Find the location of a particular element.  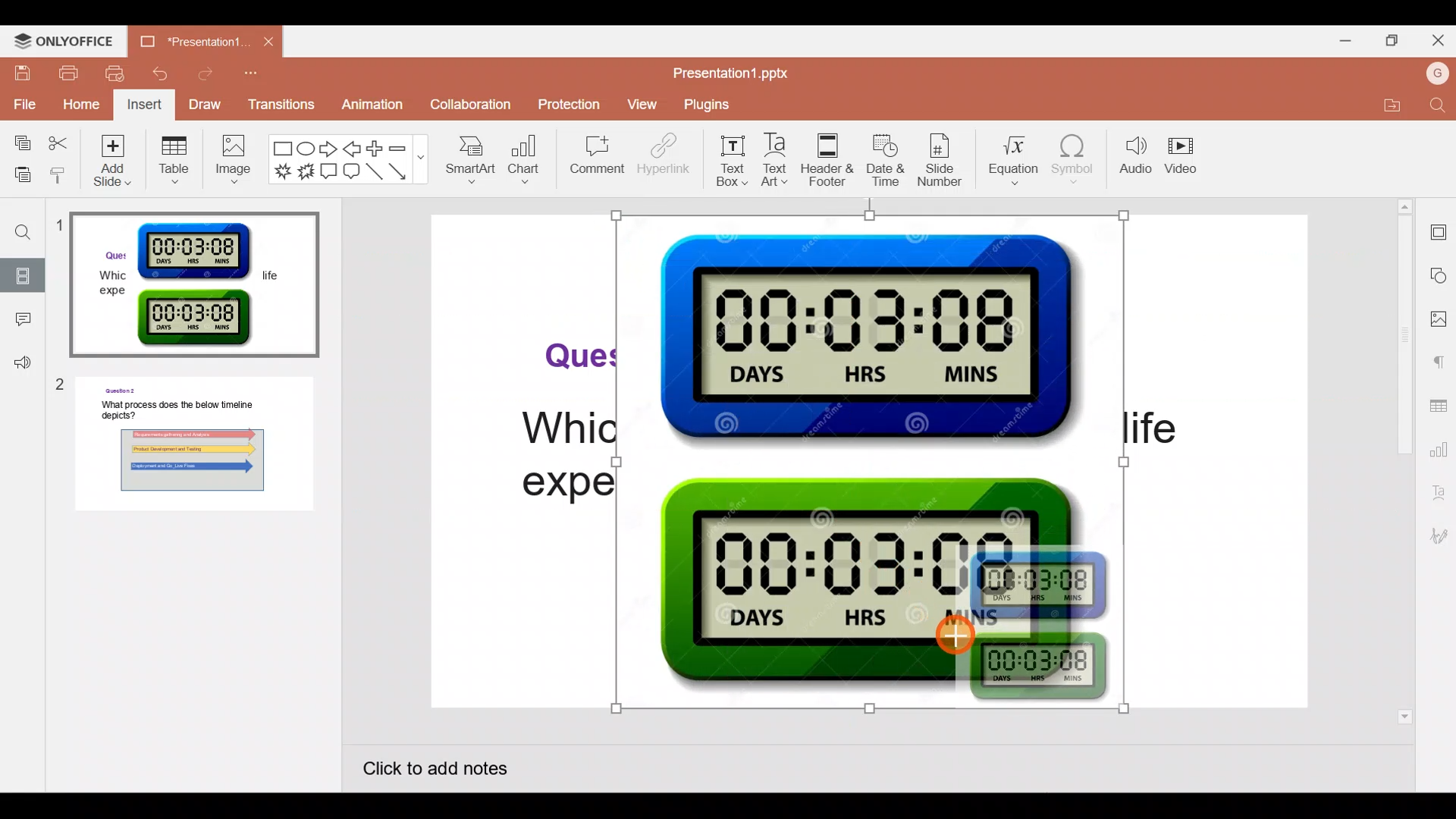

Cursor on inserted image 1 is located at coordinates (957, 631).